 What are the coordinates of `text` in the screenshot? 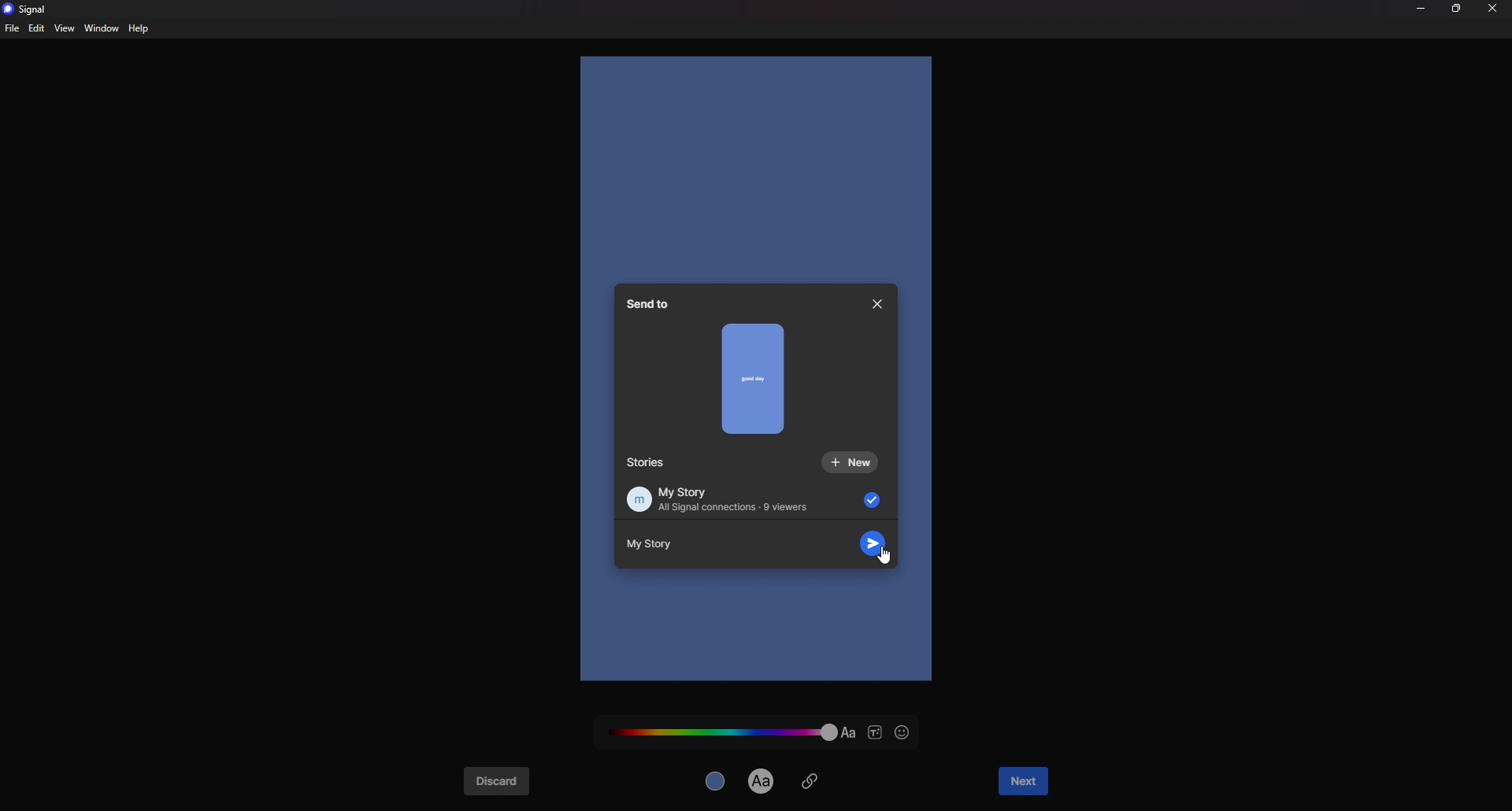 It's located at (849, 733).